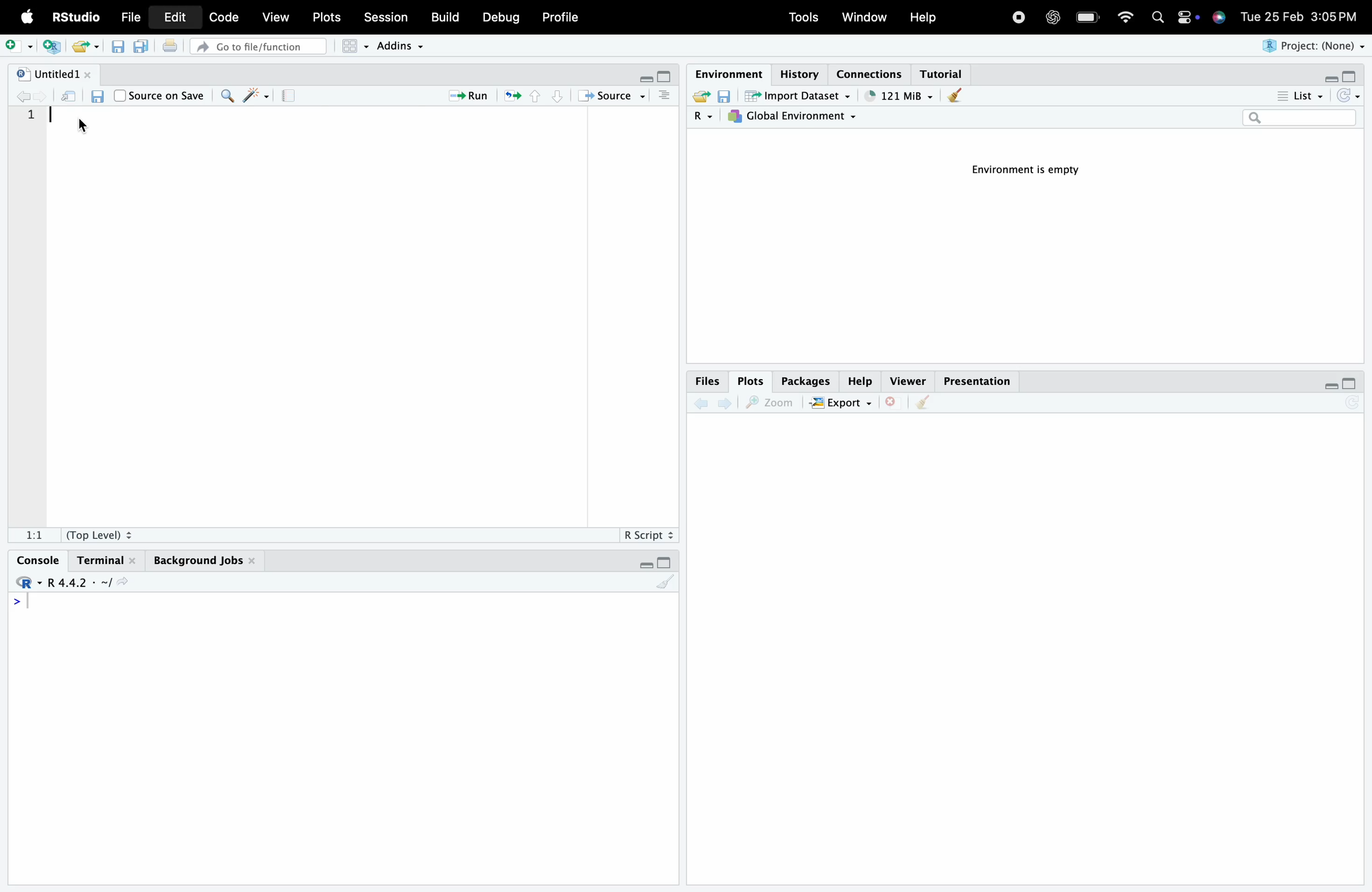 The height and width of the screenshot is (892, 1372). Describe the element at coordinates (160, 95) in the screenshot. I see `Source on Save` at that location.